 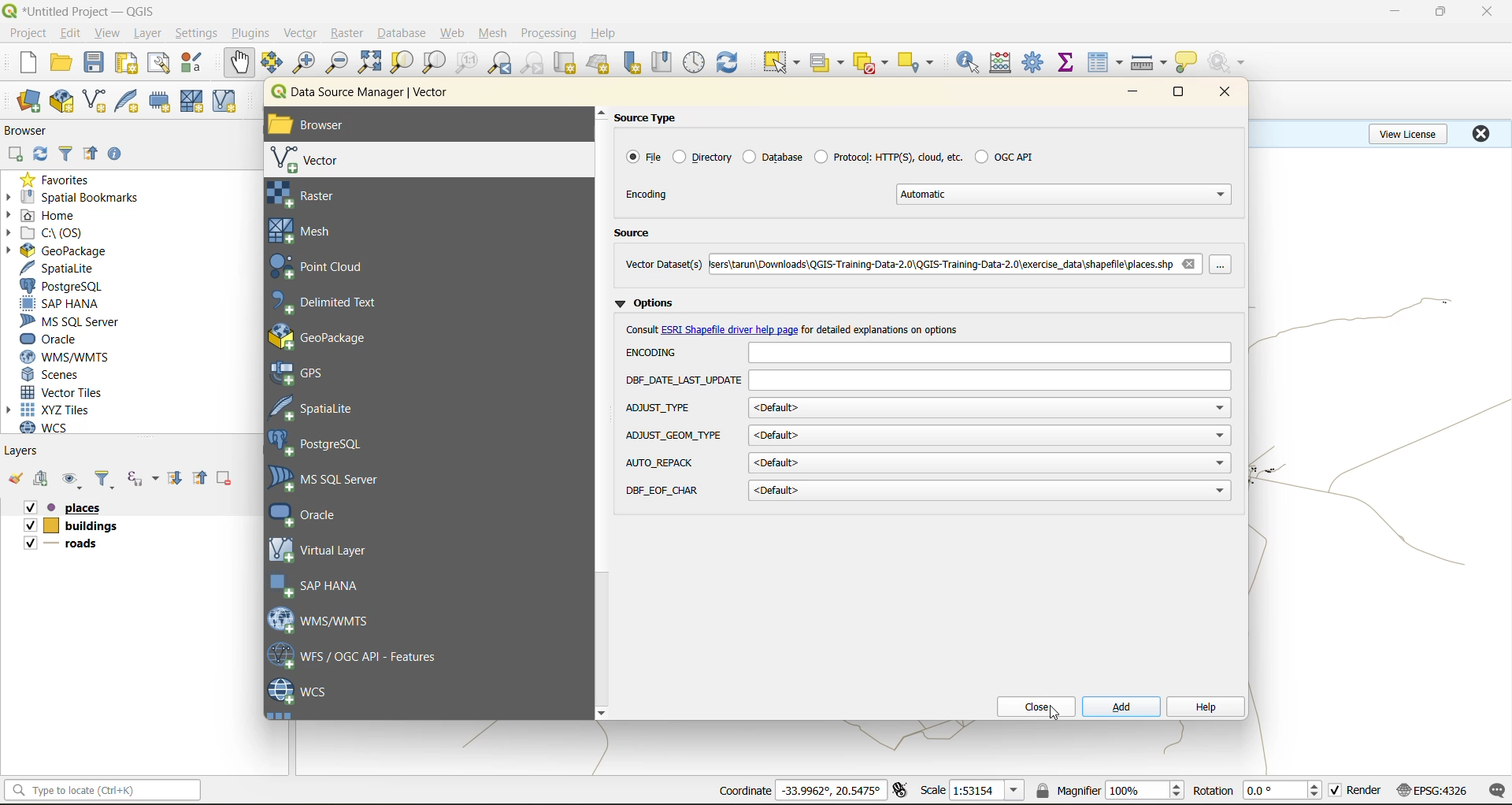 I want to click on minimize, so click(x=1395, y=11).